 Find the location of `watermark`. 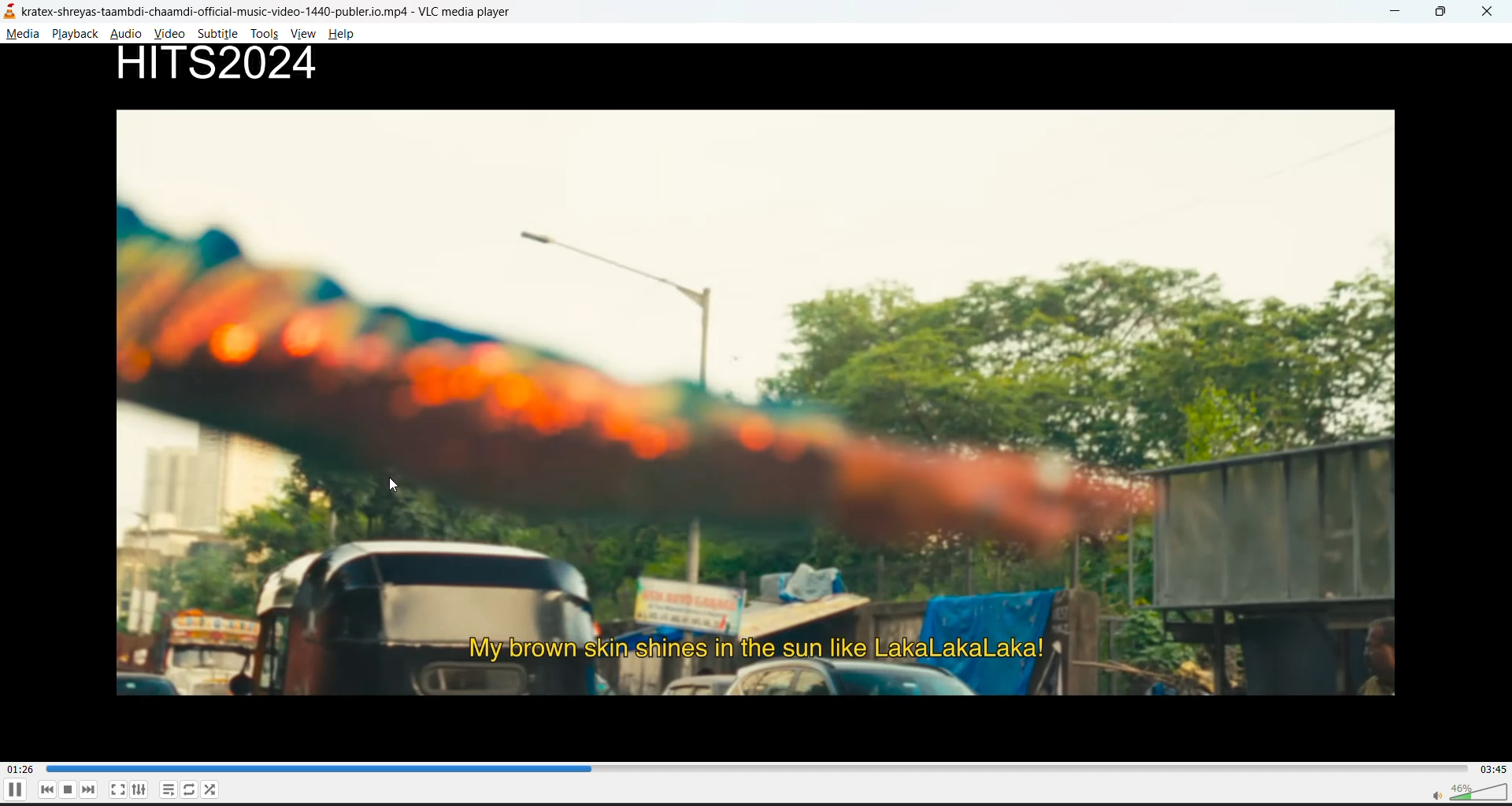

watermark is located at coordinates (235, 66).